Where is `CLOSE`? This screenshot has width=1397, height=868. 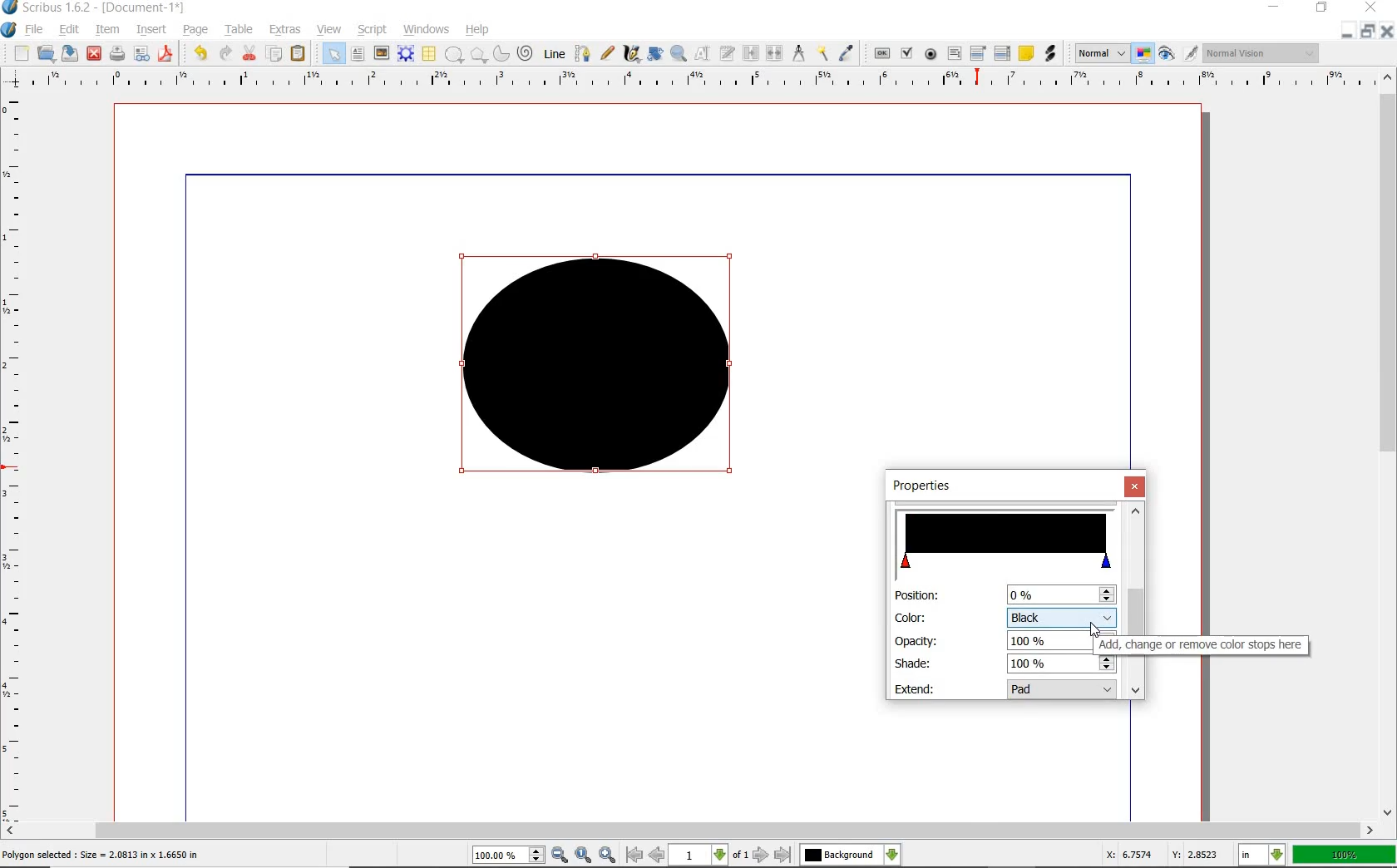
CLOSE is located at coordinates (1369, 7).